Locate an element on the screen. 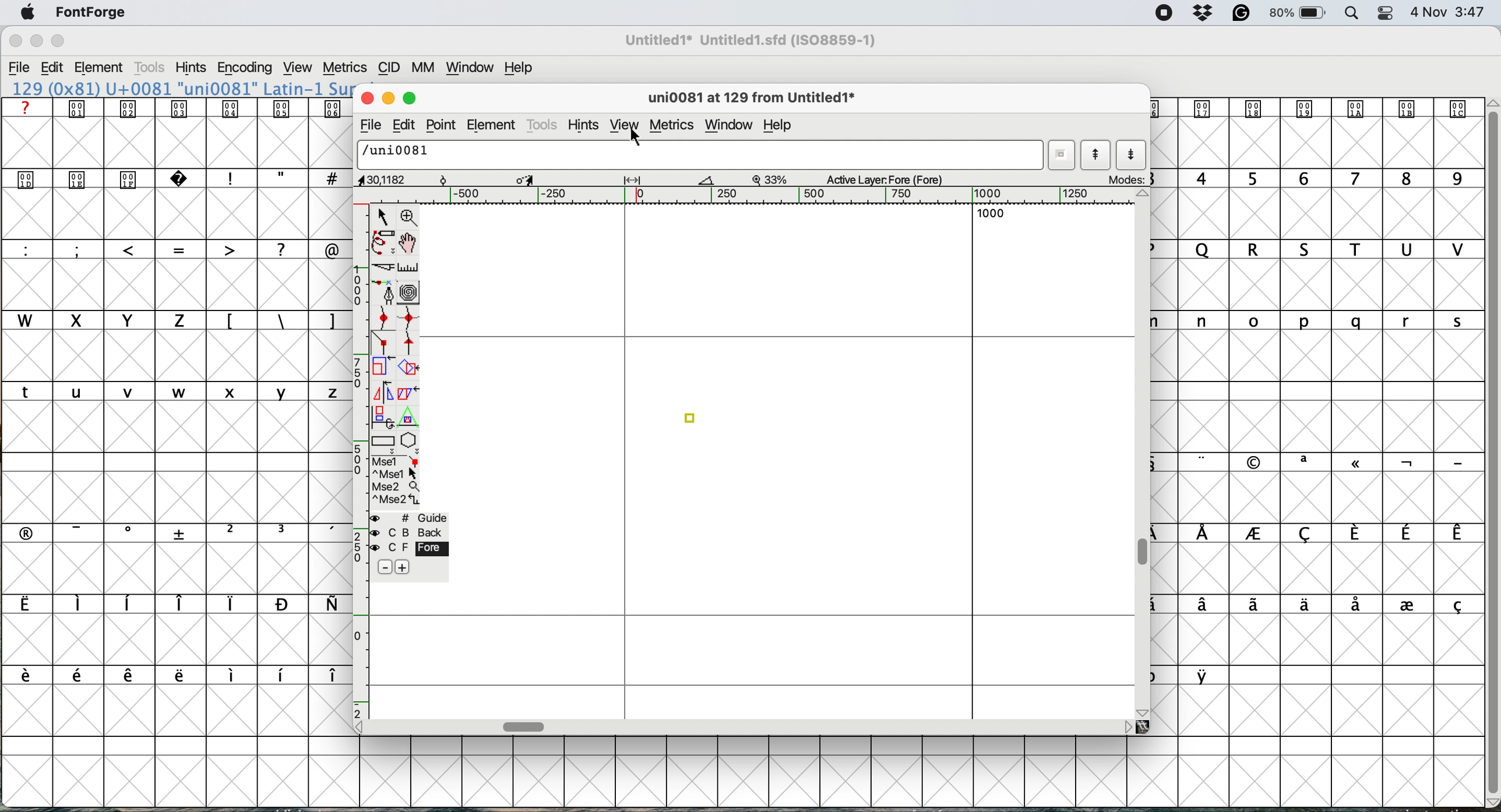 This screenshot has height=812, width=1501. Help is located at coordinates (519, 68).